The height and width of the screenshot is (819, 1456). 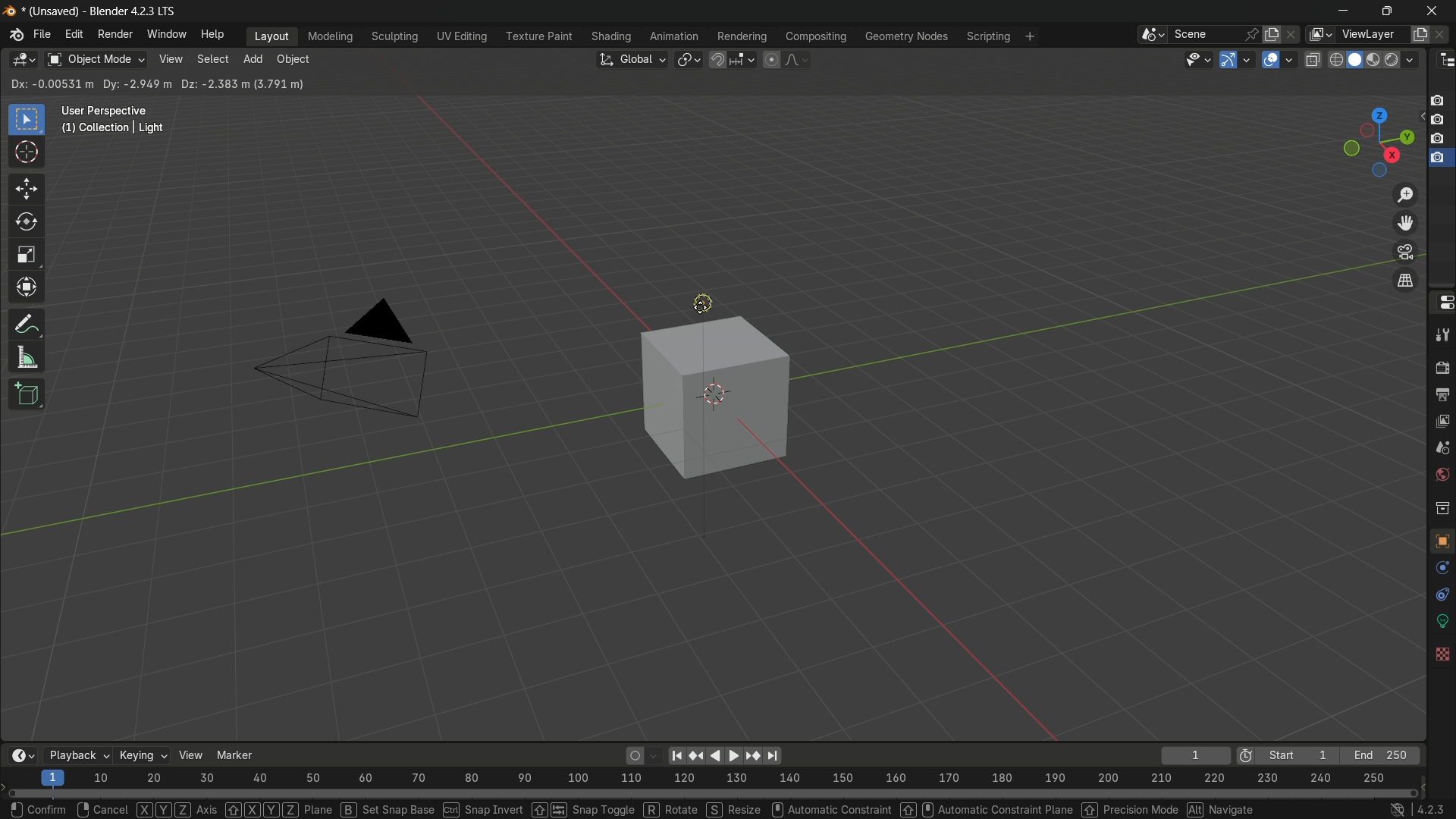 What do you see at coordinates (95, 11) in the screenshot?
I see `(unsaved) - blender 4.2.3 lts` at bounding box center [95, 11].